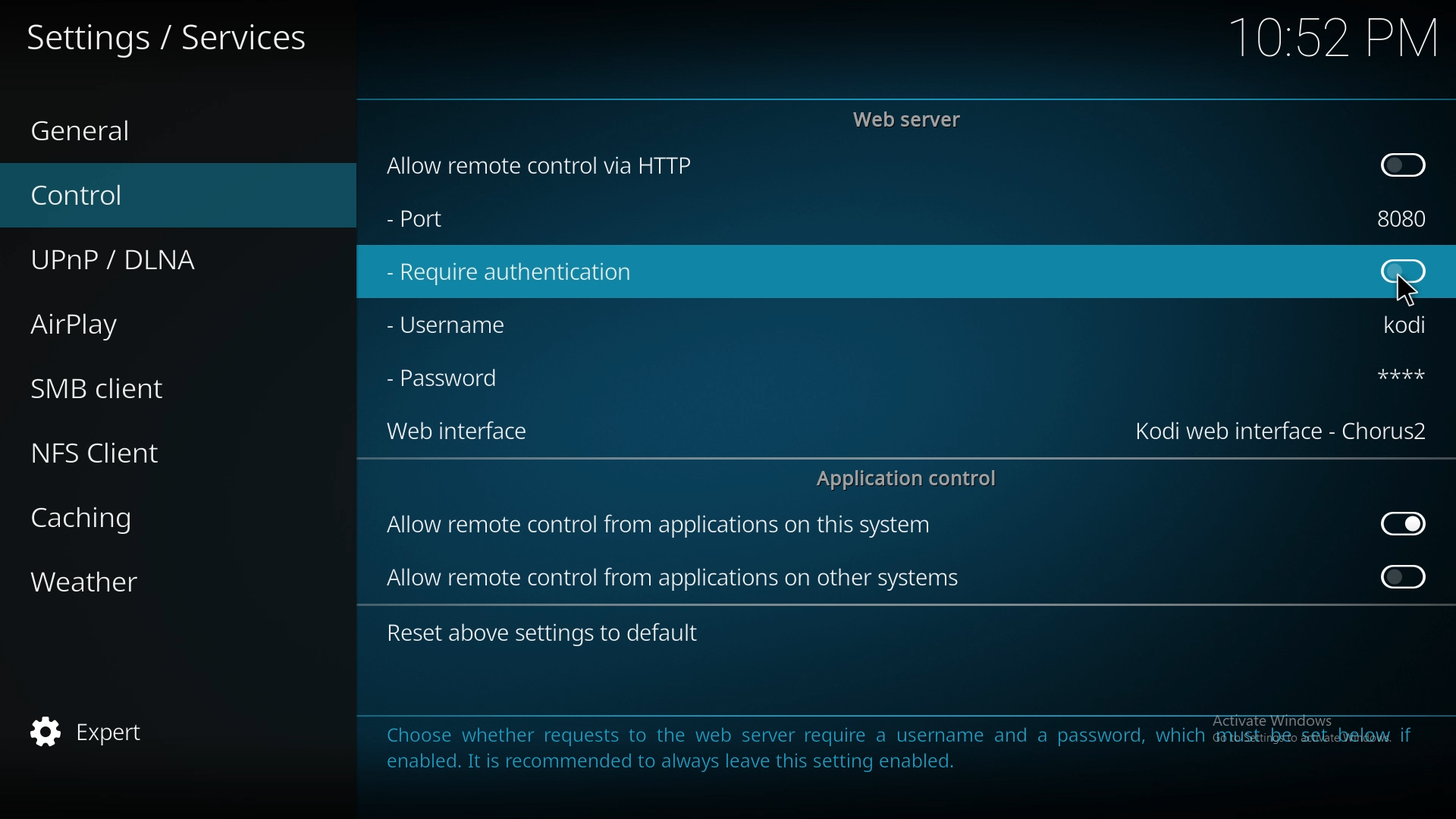 This screenshot has height=819, width=1456. I want to click on nfs client, so click(159, 451).